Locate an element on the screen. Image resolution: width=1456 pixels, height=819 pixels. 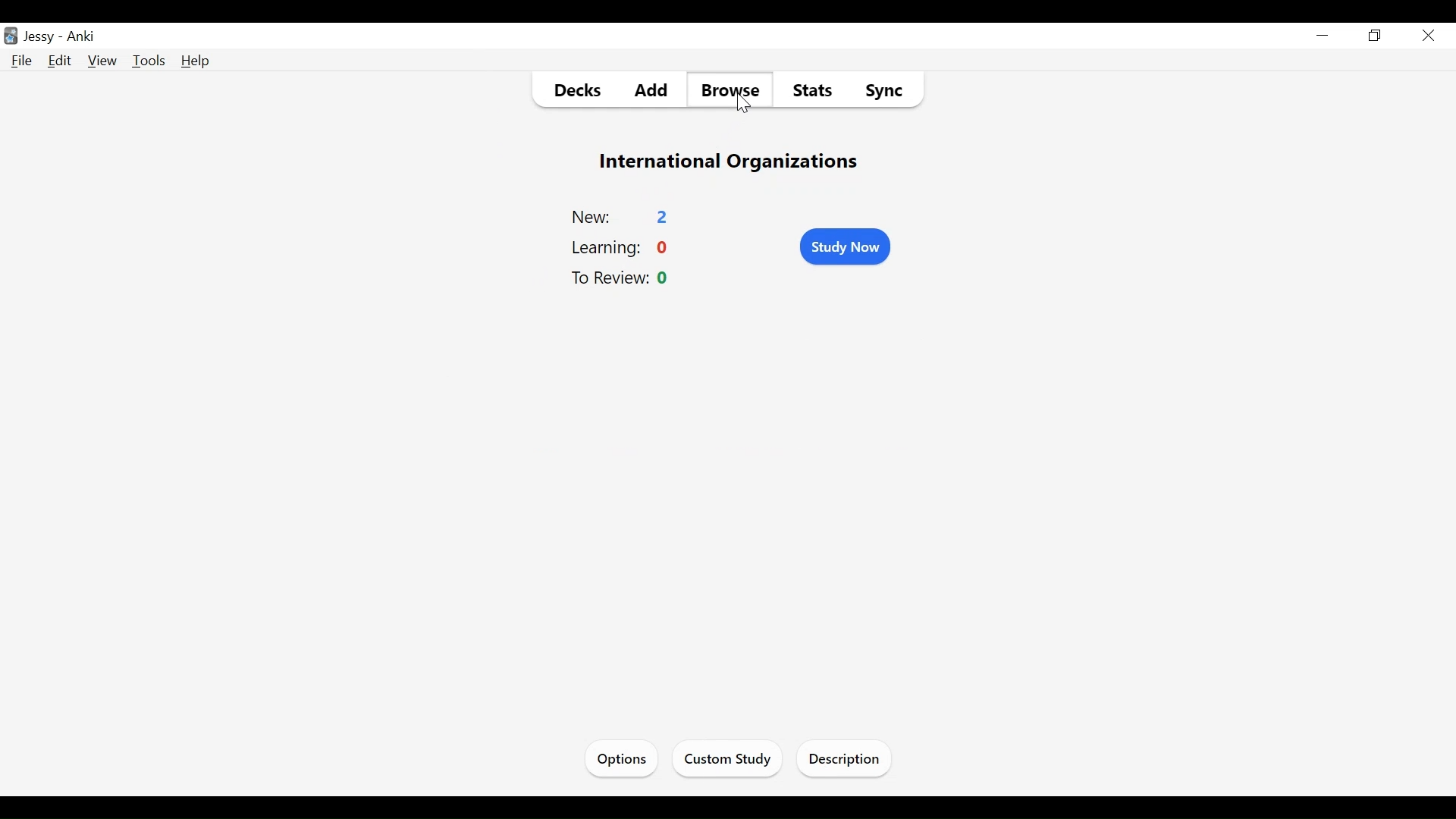
Anki is located at coordinates (85, 37).